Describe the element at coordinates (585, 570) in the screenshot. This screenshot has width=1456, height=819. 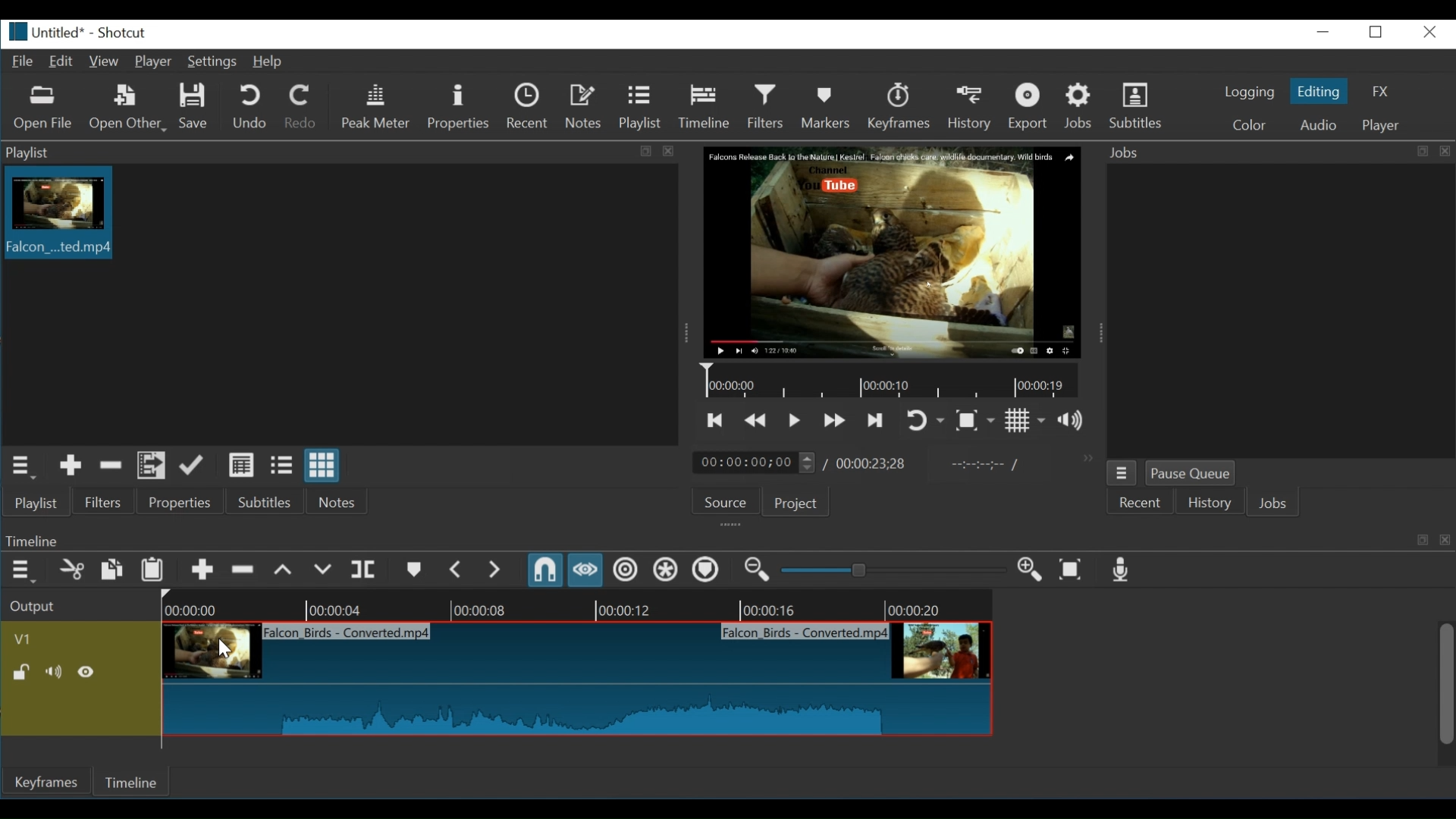
I see `Scrub while dragging` at that location.